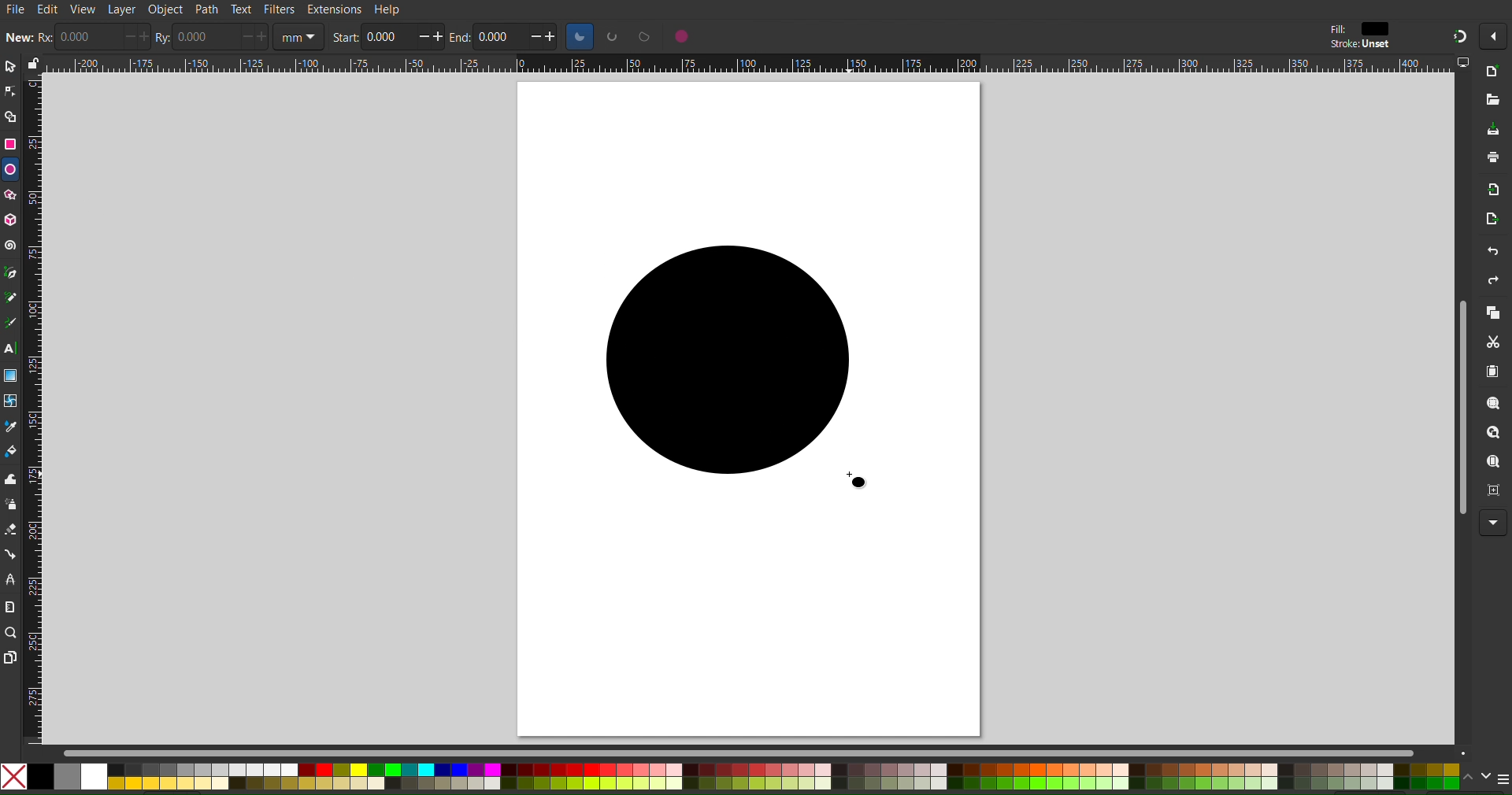 This screenshot has height=795, width=1512. Describe the element at coordinates (1493, 523) in the screenshot. I see `More Options` at that location.